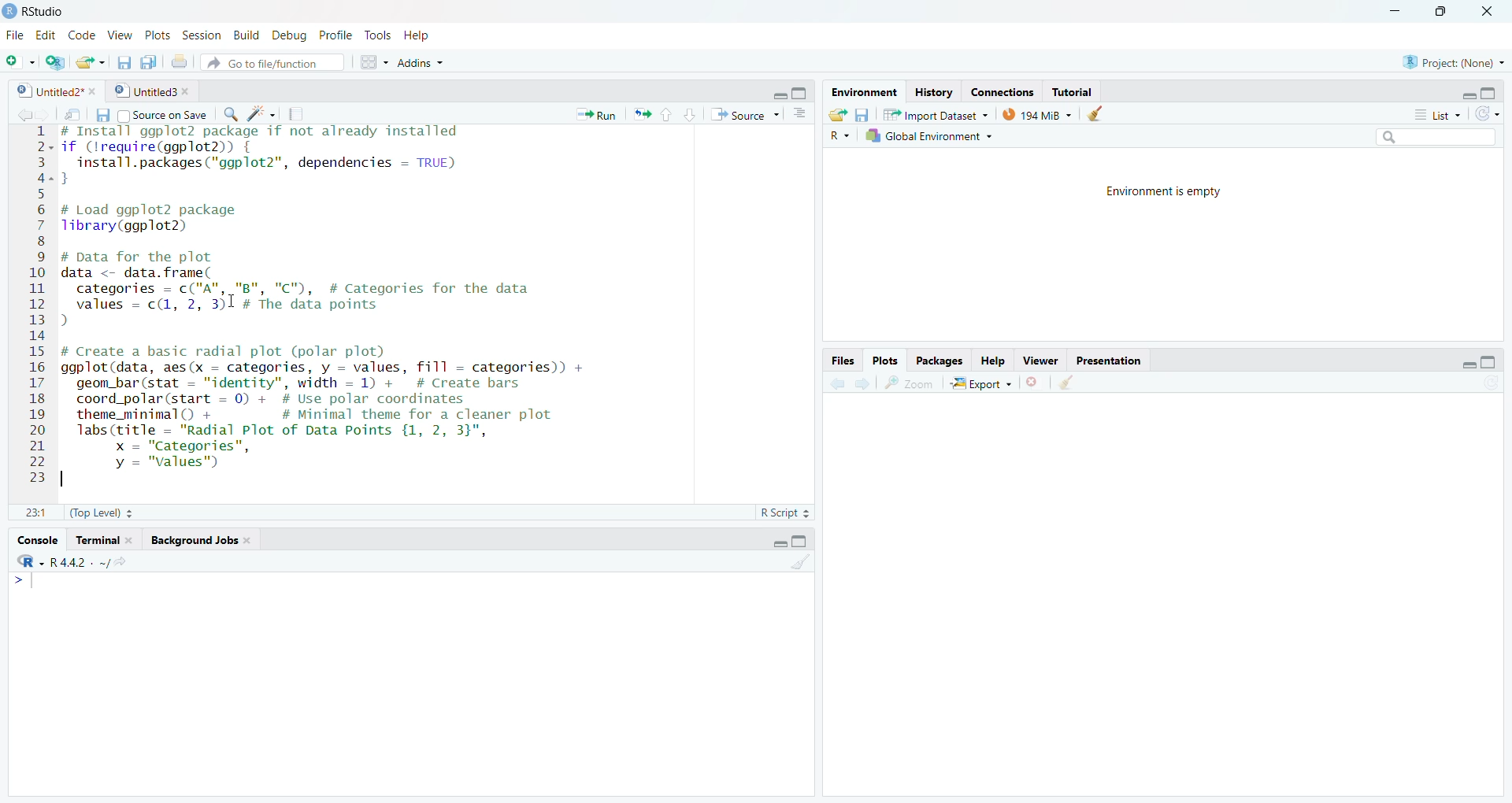  What do you see at coordinates (120, 563) in the screenshot?
I see `view the current working directory` at bounding box center [120, 563].